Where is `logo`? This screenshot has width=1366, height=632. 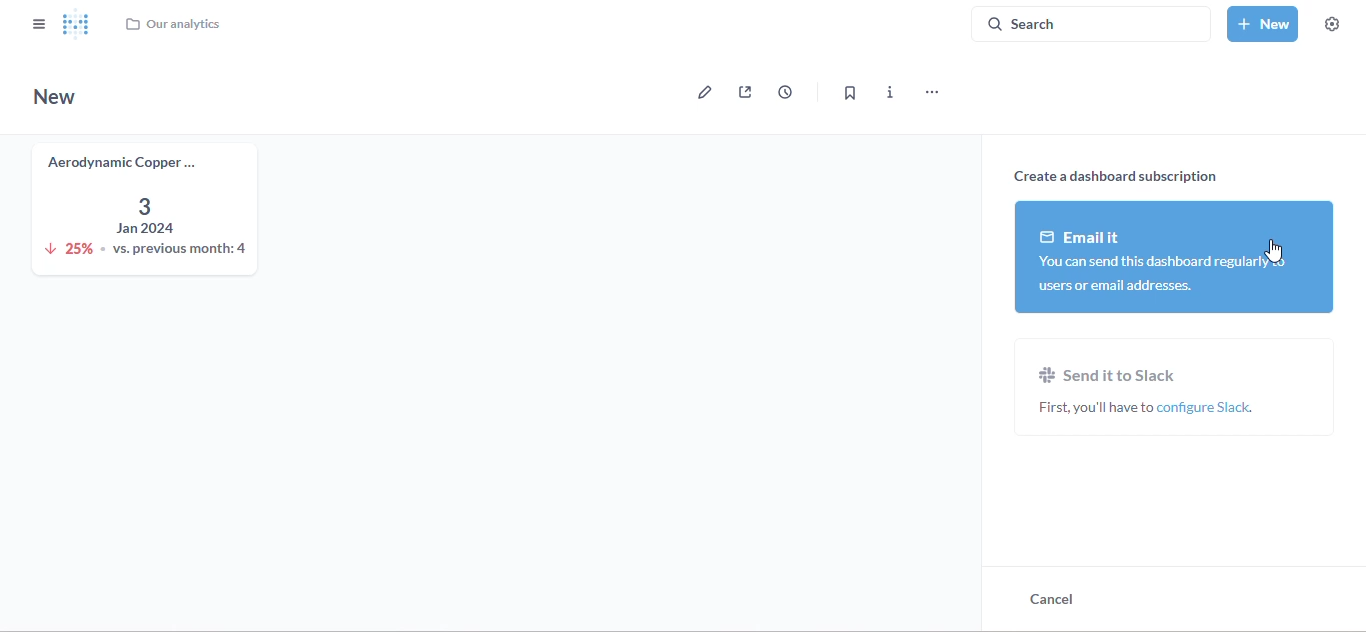
logo is located at coordinates (77, 23).